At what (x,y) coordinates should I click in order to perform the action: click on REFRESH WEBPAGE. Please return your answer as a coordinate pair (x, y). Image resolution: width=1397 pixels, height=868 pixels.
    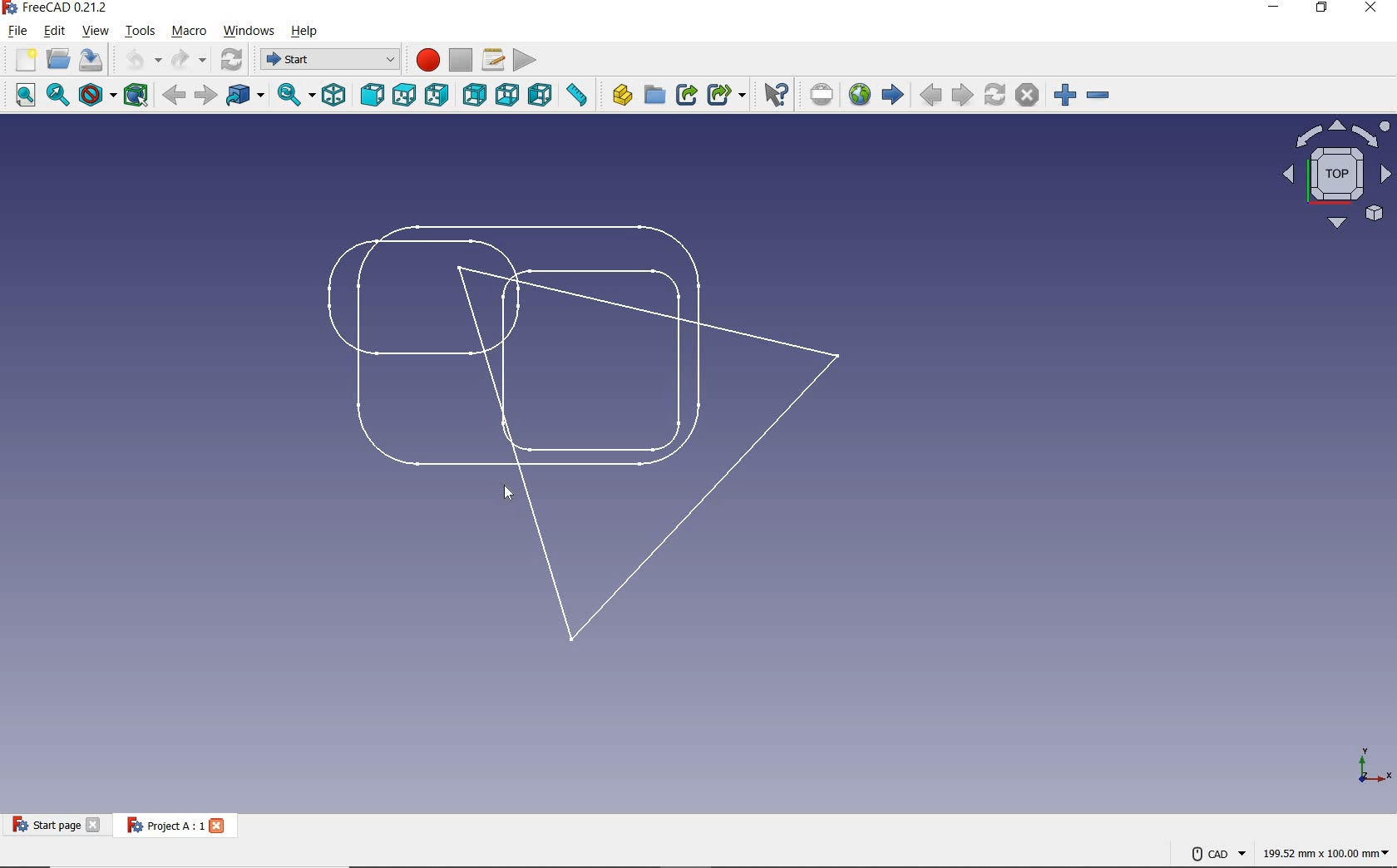
    Looking at the image, I should click on (994, 93).